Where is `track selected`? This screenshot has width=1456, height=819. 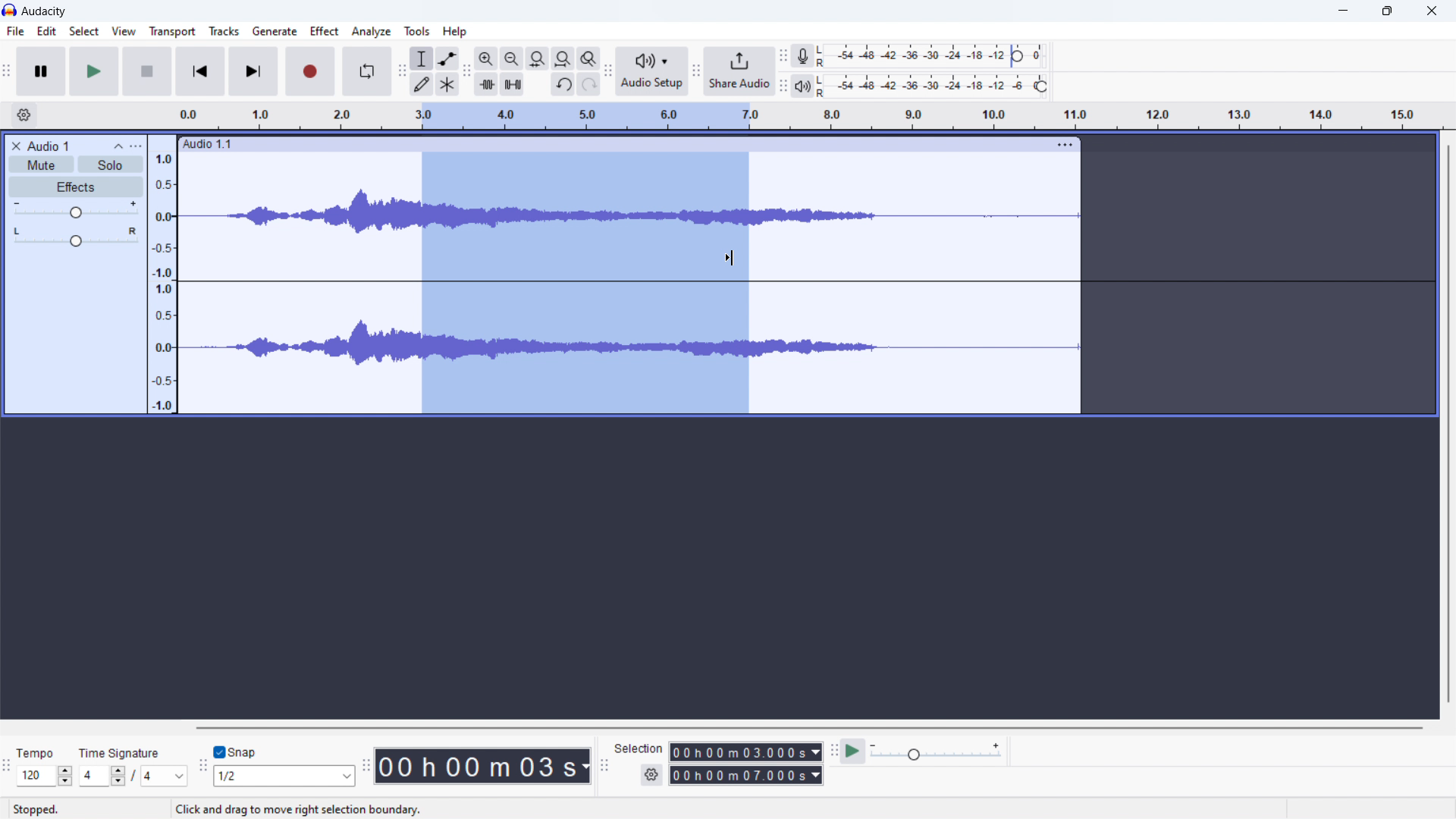 track selected is located at coordinates (918, 282).